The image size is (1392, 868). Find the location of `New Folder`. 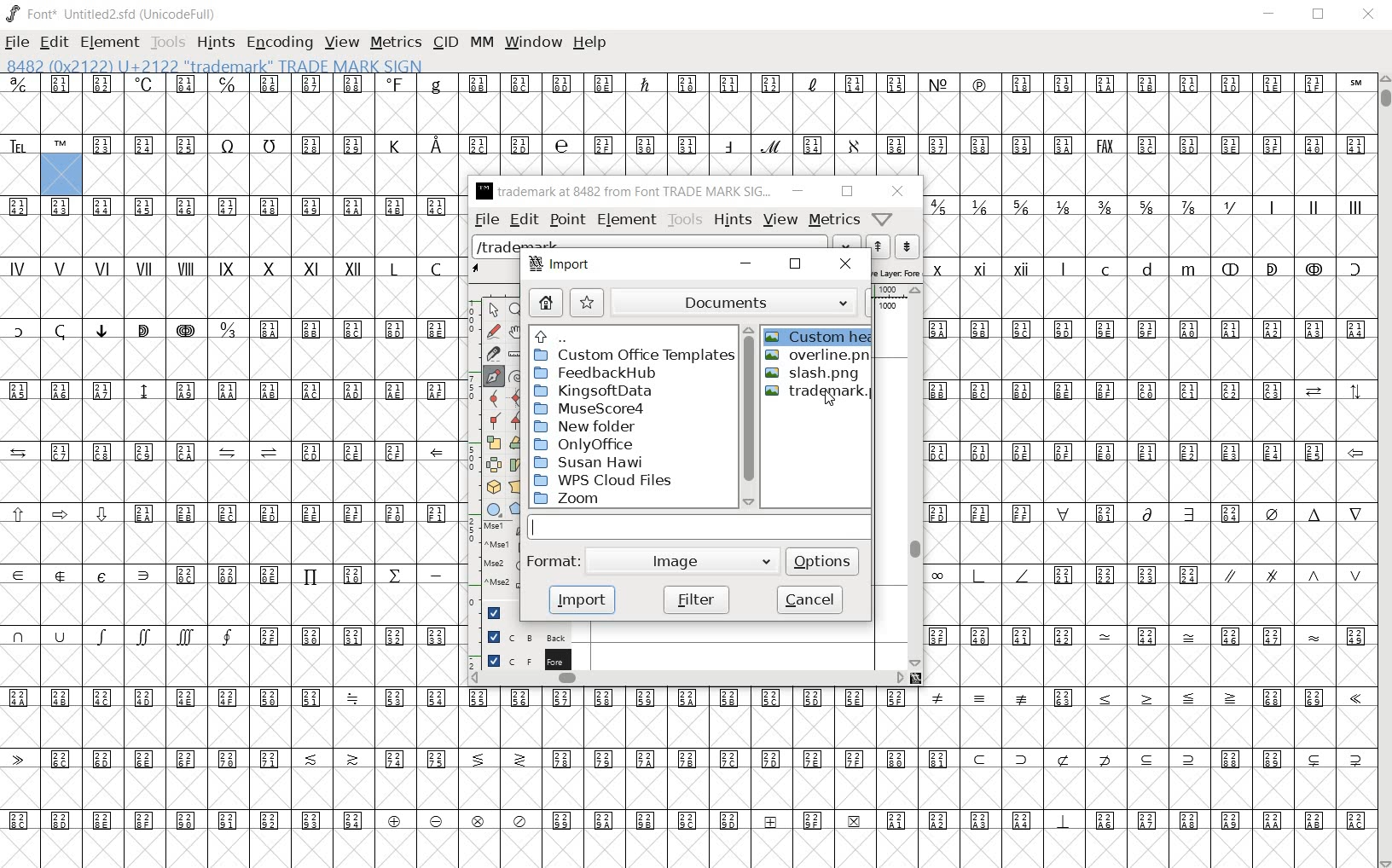

New Folder is located at coordinates (586, 426).